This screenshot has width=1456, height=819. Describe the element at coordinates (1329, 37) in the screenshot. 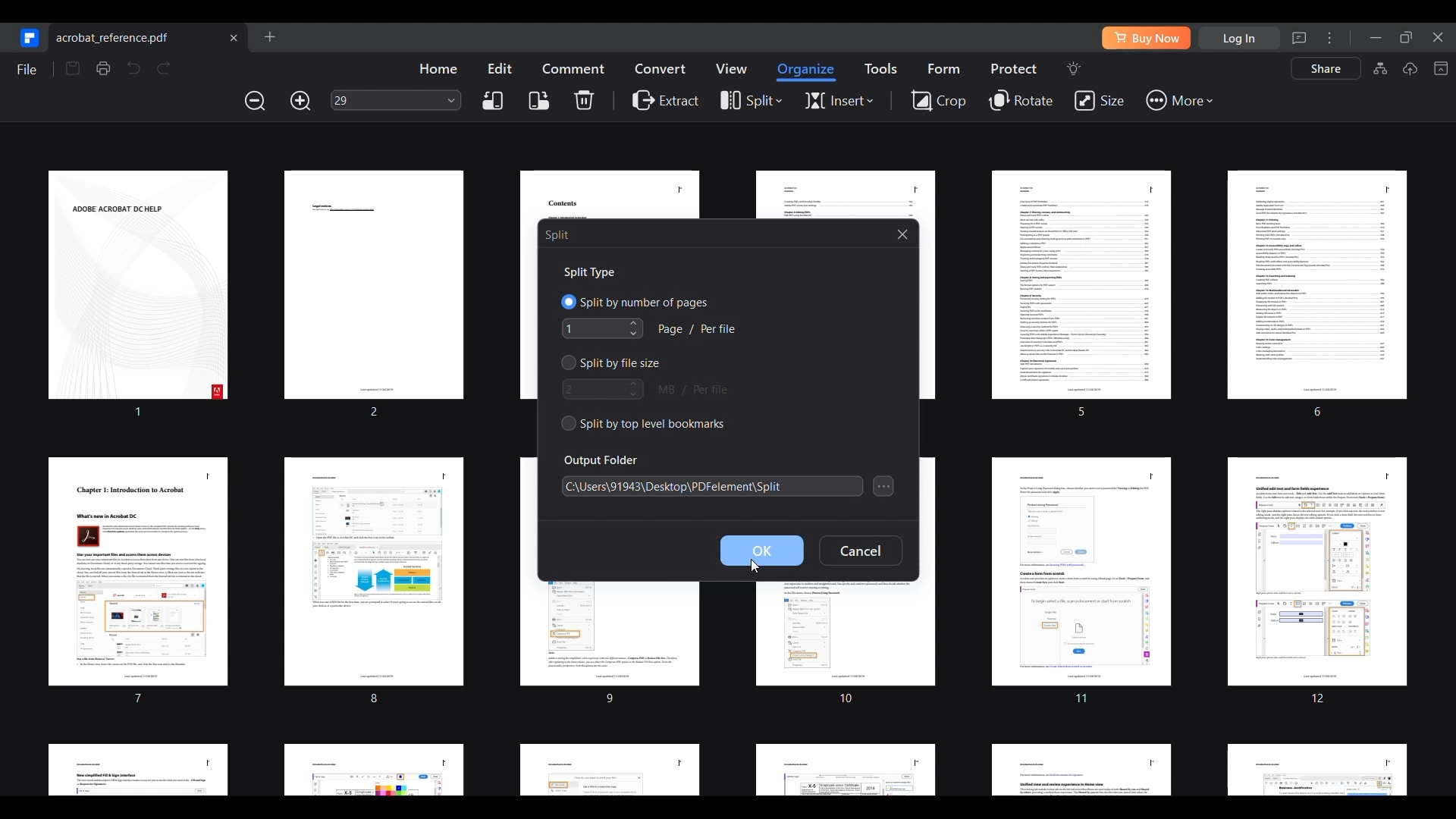

I see `More settings` at that location.